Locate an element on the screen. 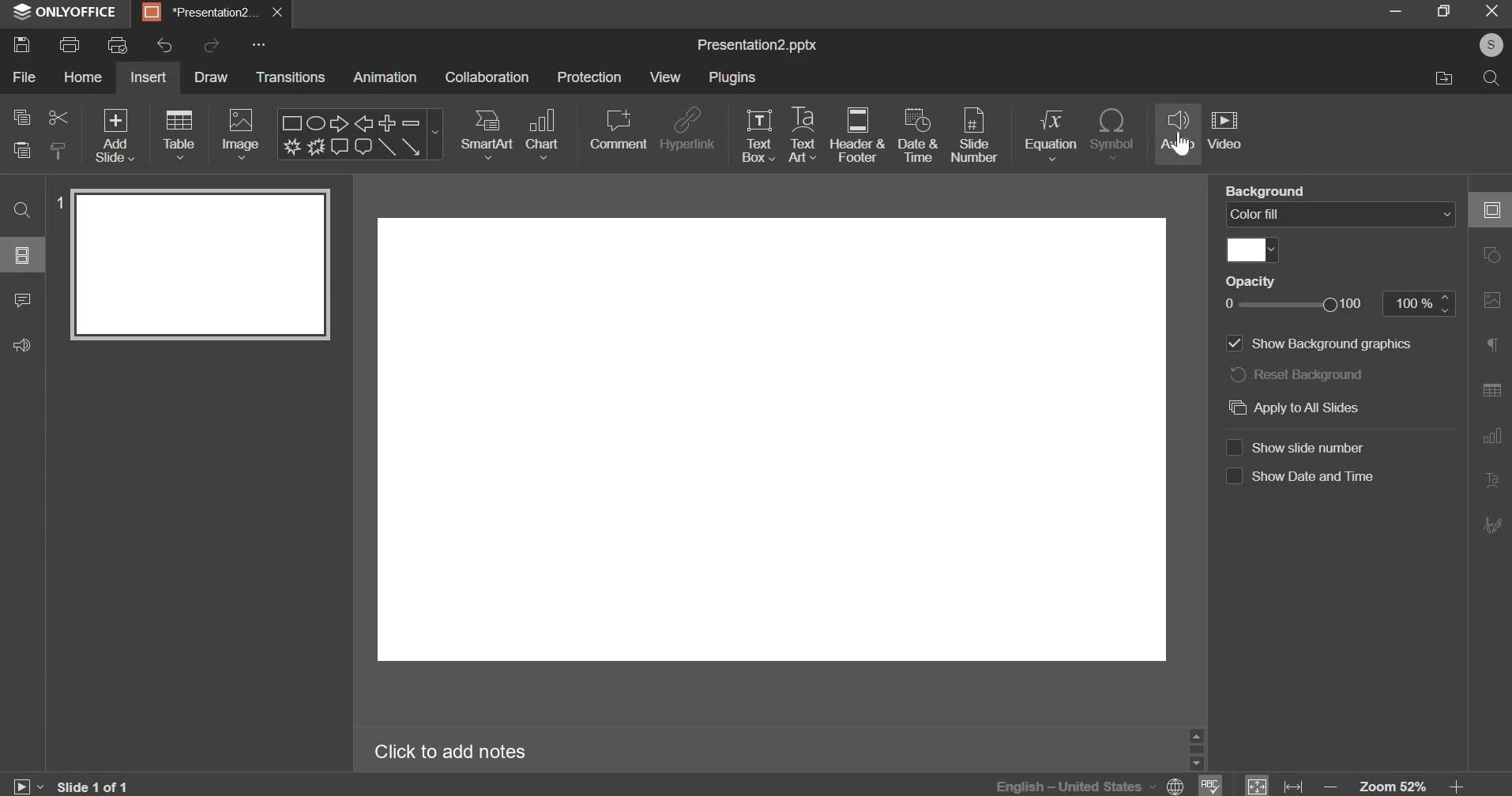 This screenshot has height=796, width=1512. home is located at coordinates (85, 77).